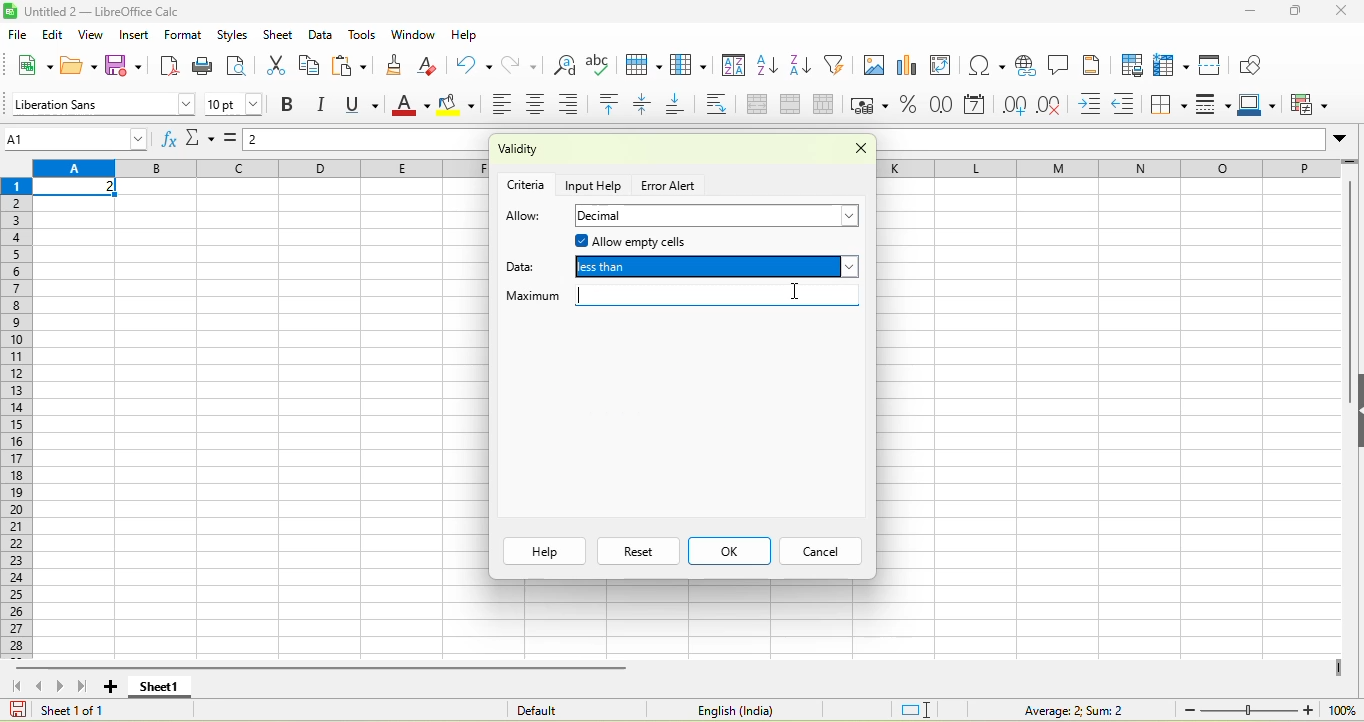  I want to click on split window, so click(1215, 64).